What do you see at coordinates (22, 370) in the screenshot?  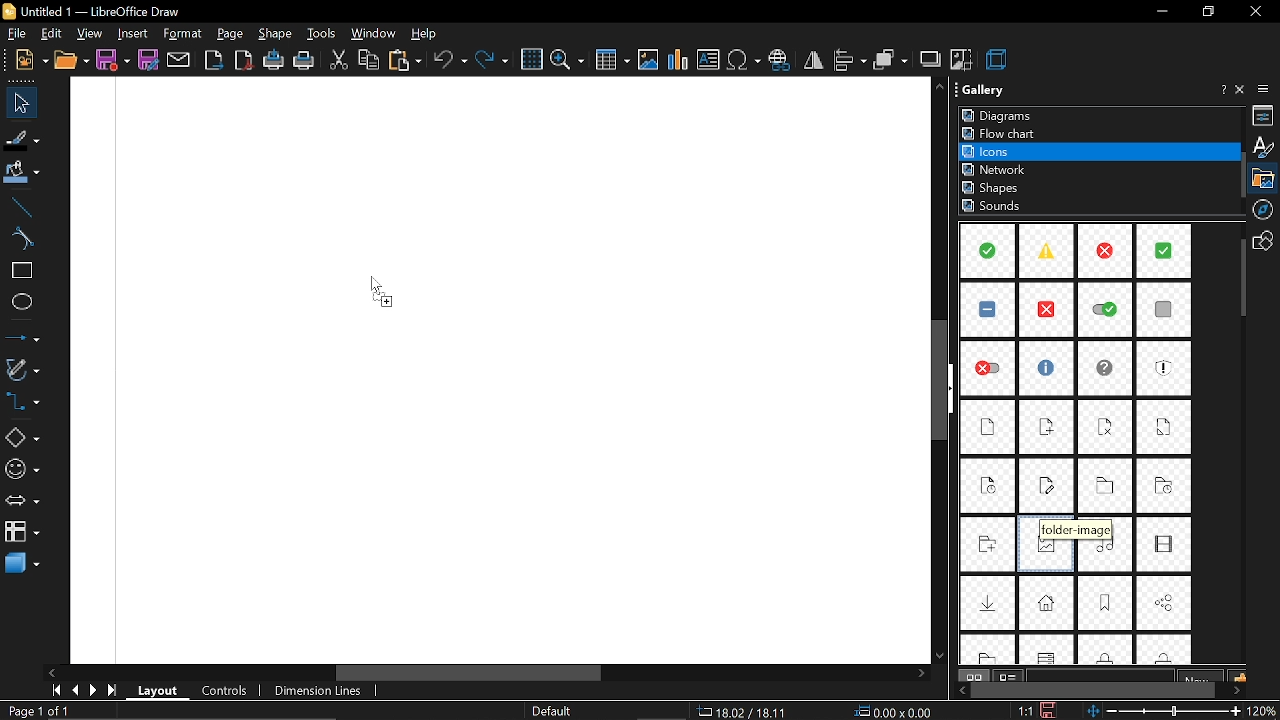 I see `curves and polygons` at bounding box center [22, 370].